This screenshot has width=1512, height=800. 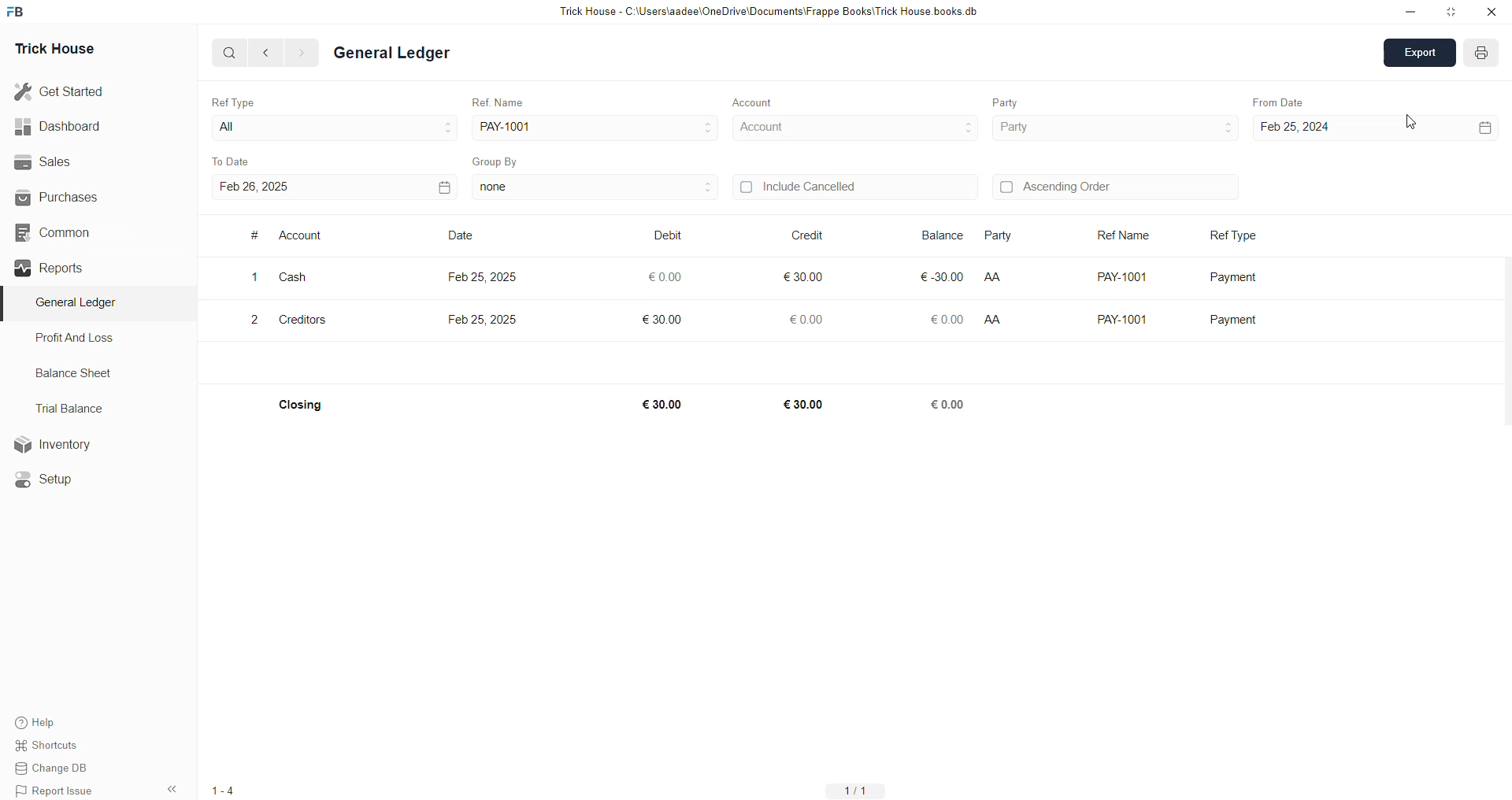 What do you see at coordinates (954, 407) in the screenshot?
I see `€0.00` at bounding box center [954, 407].